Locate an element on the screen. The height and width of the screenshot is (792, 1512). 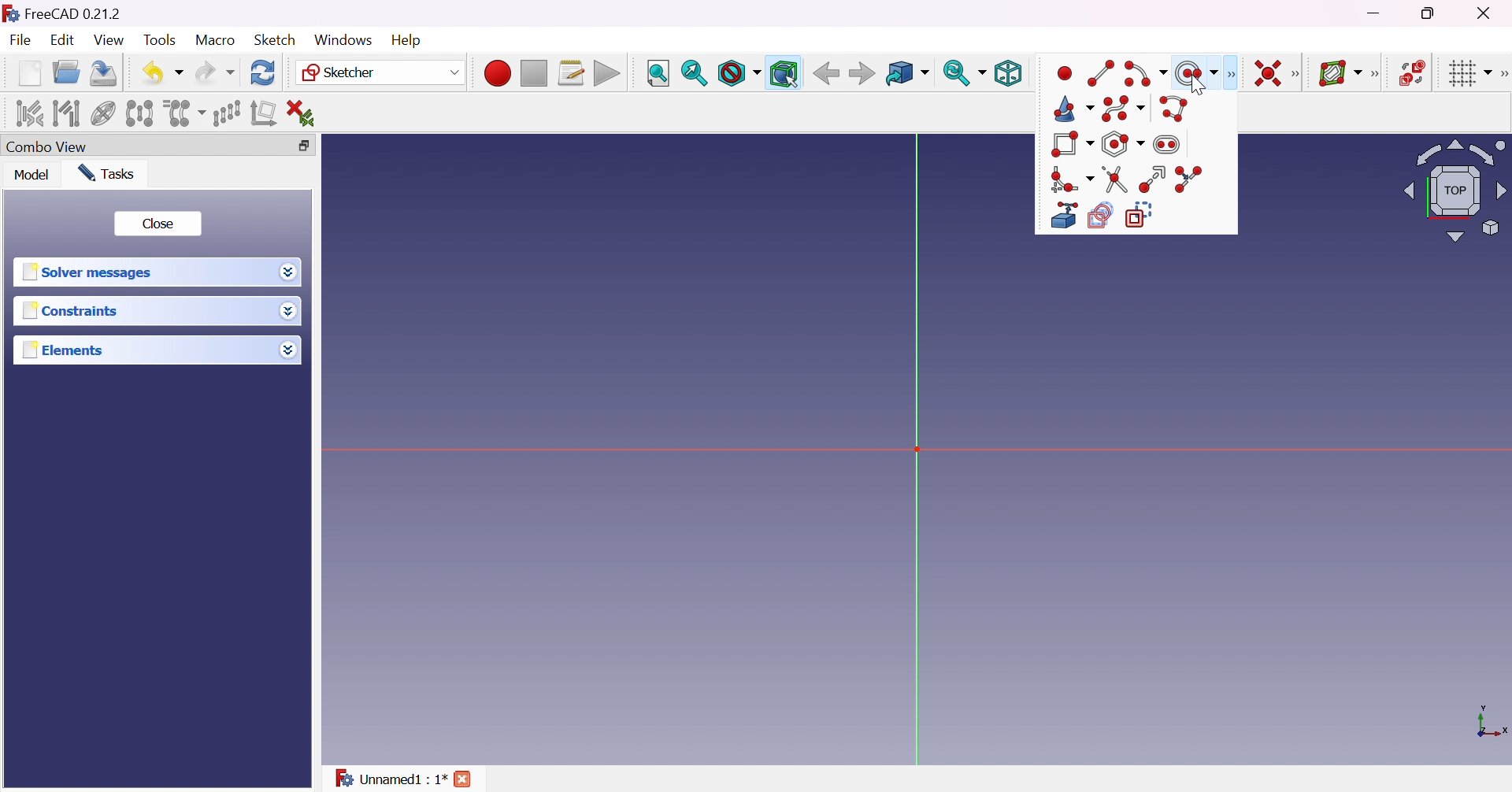
Refresh is located at coordinates (263, 72).